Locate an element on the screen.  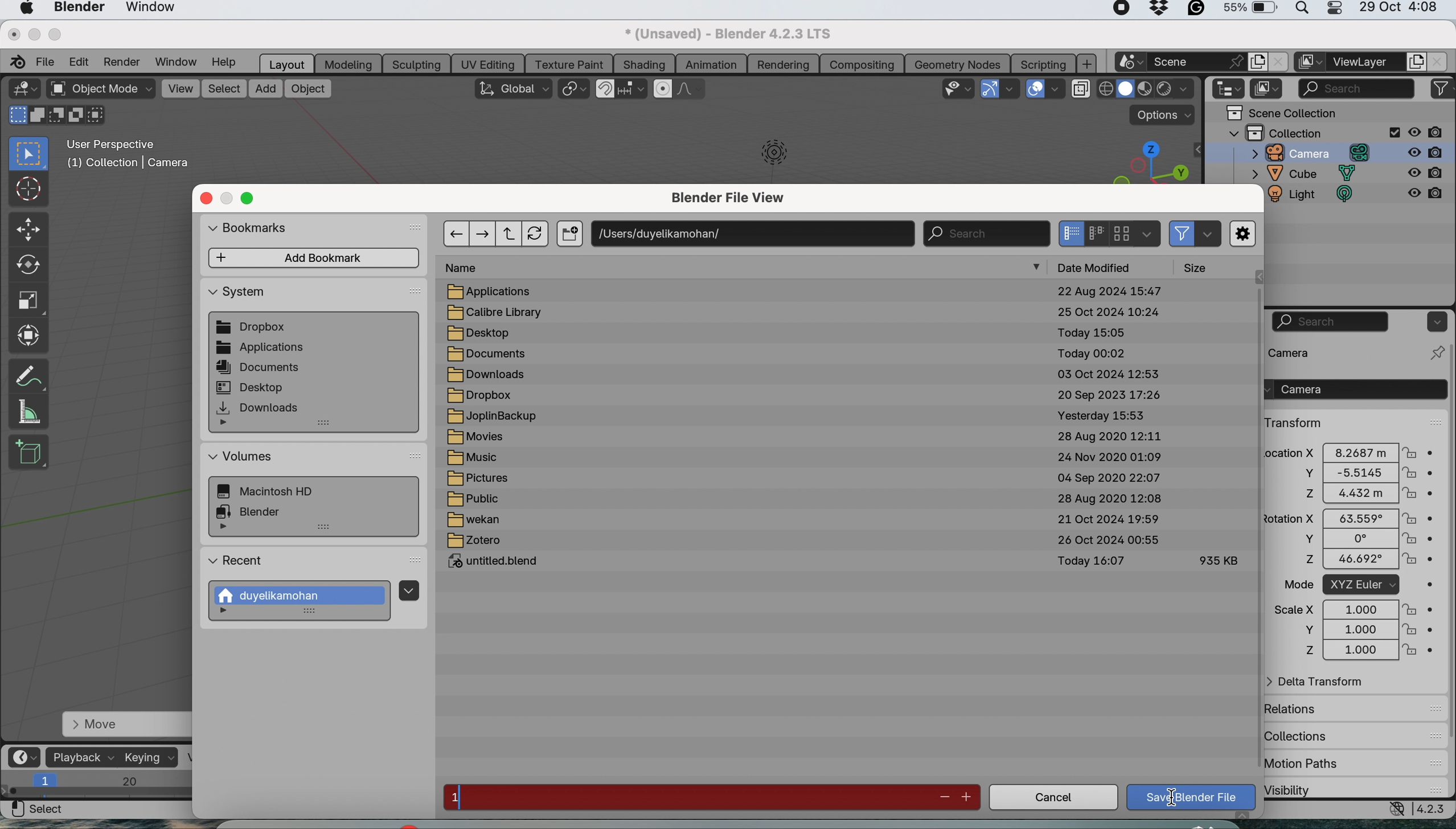
close is located at coordinates (1278, 62).